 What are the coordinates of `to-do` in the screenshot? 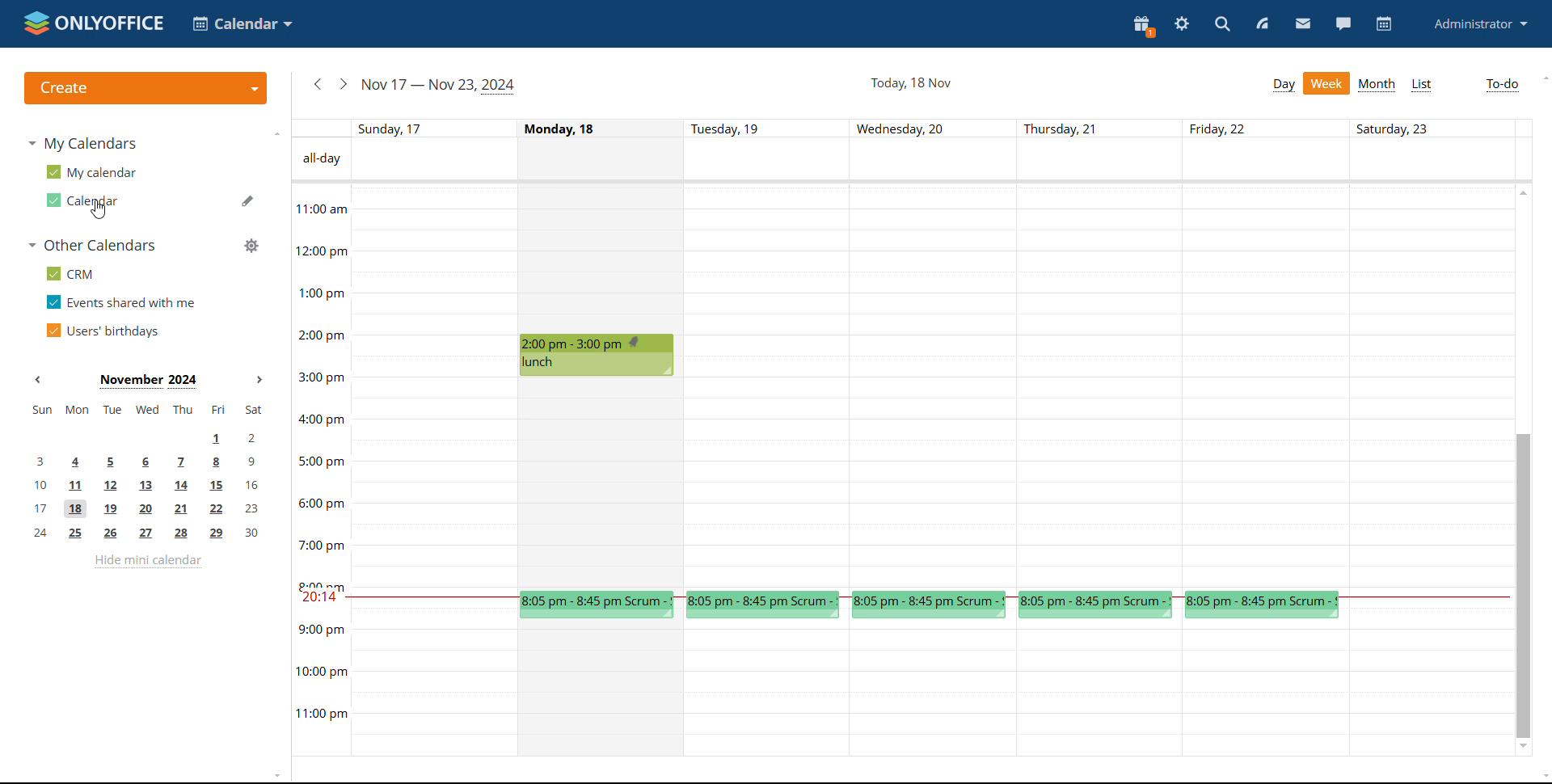 It's located at (1503, 85).